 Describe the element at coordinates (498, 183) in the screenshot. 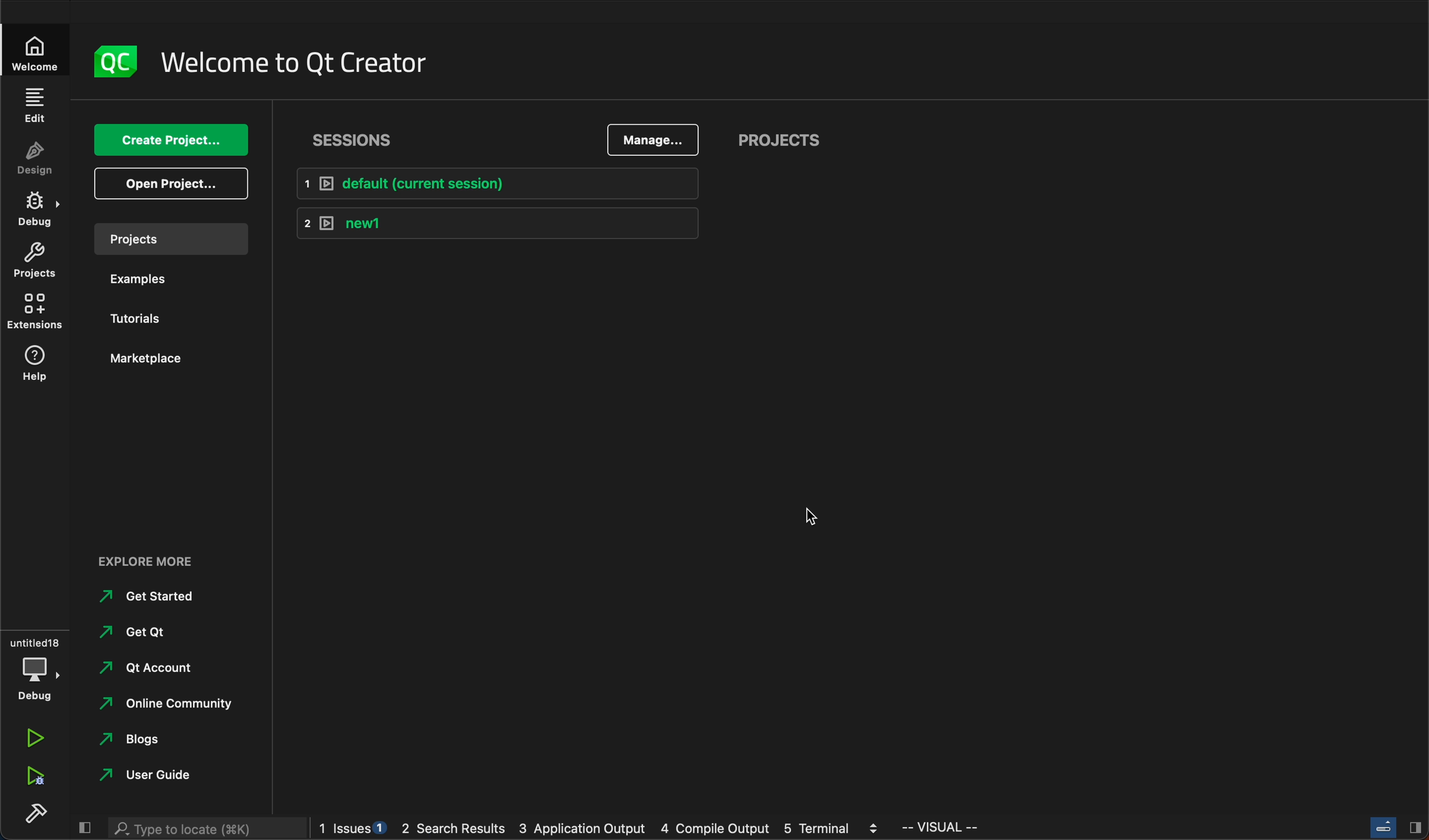

I see `default` at that location.